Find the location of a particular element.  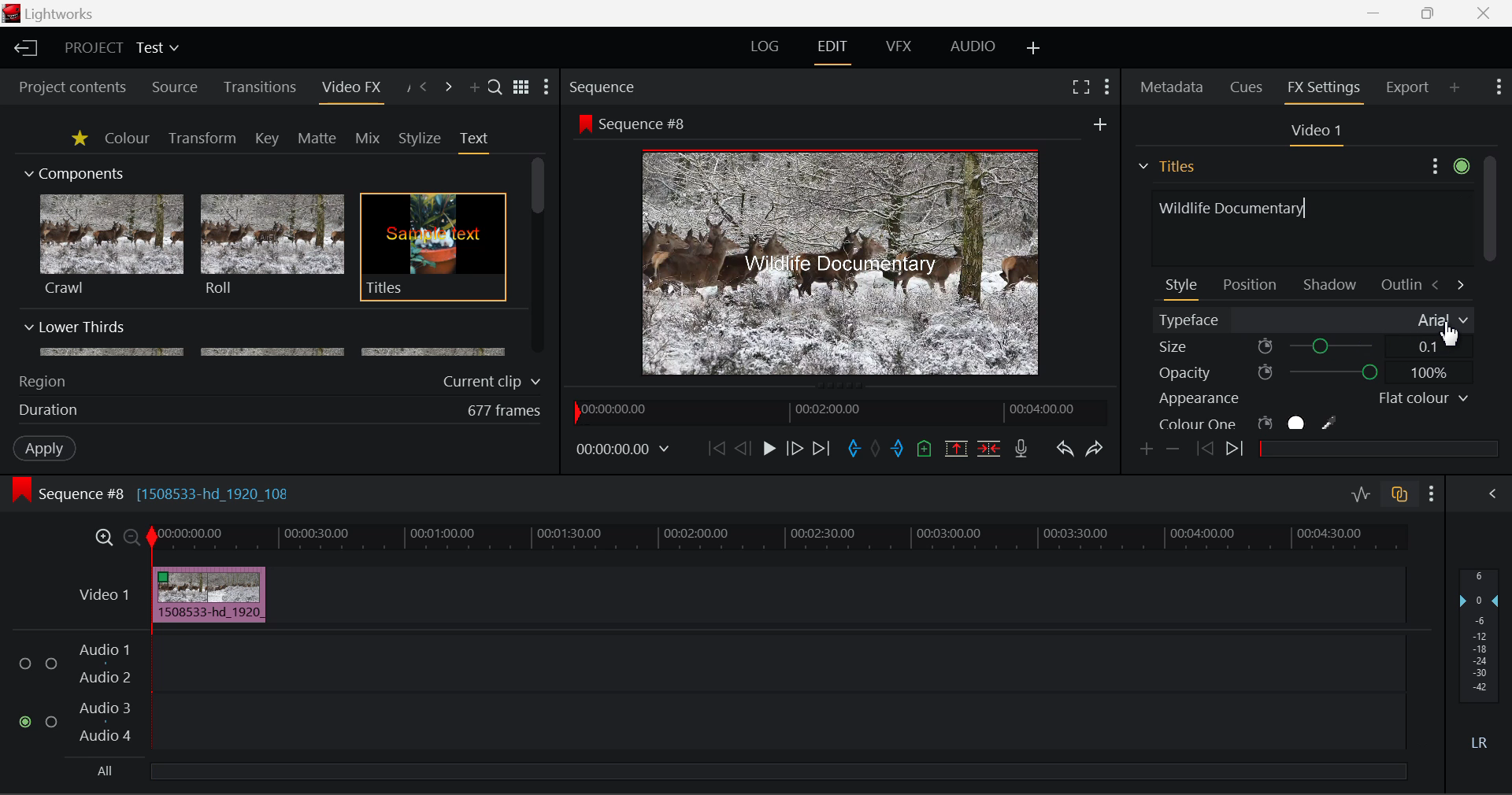

To Start is located at coordinates (717, 449).